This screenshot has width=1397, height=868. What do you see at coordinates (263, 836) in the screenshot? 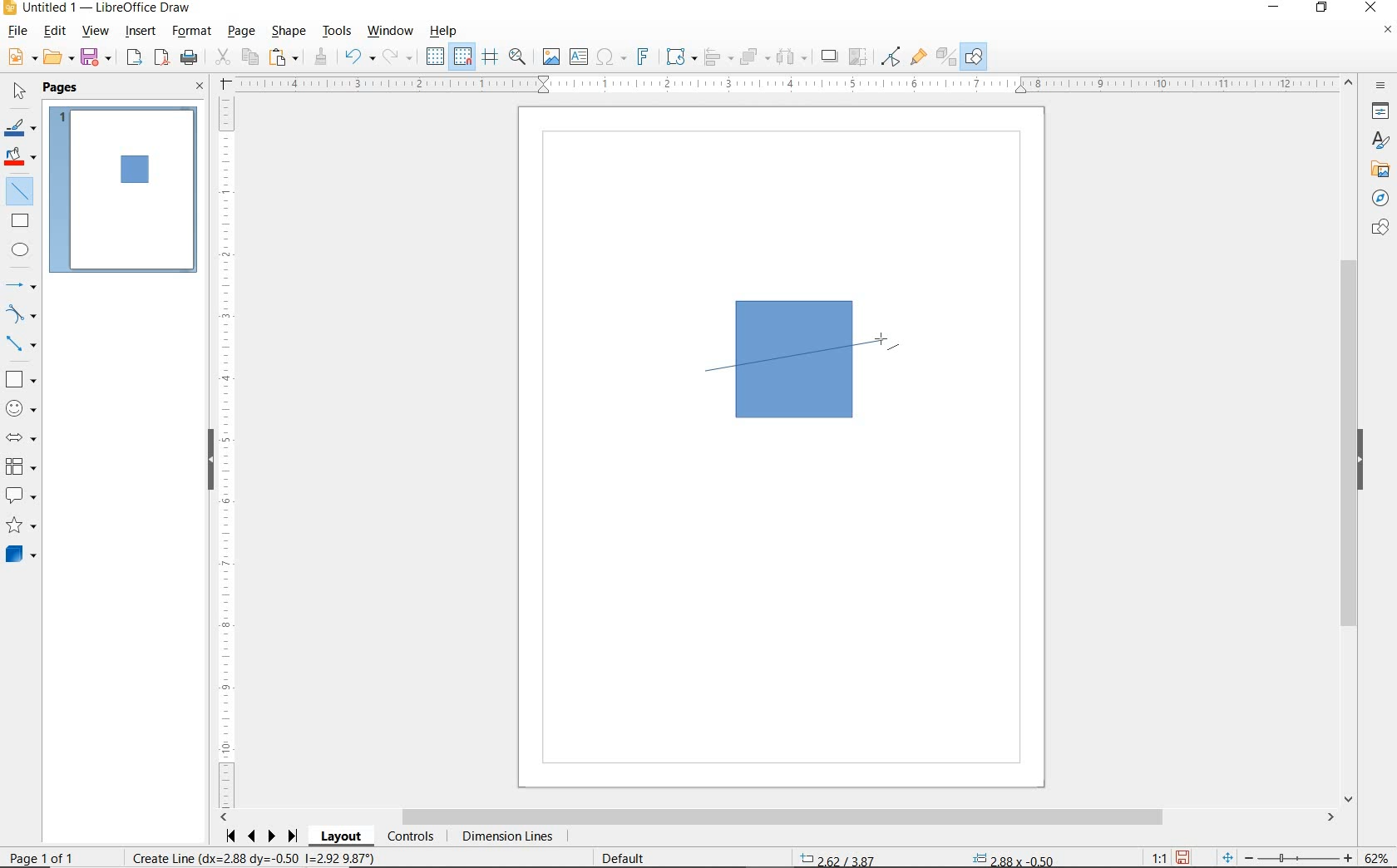
I see `SCROLL NEXT` at bounding box center [263, 836].